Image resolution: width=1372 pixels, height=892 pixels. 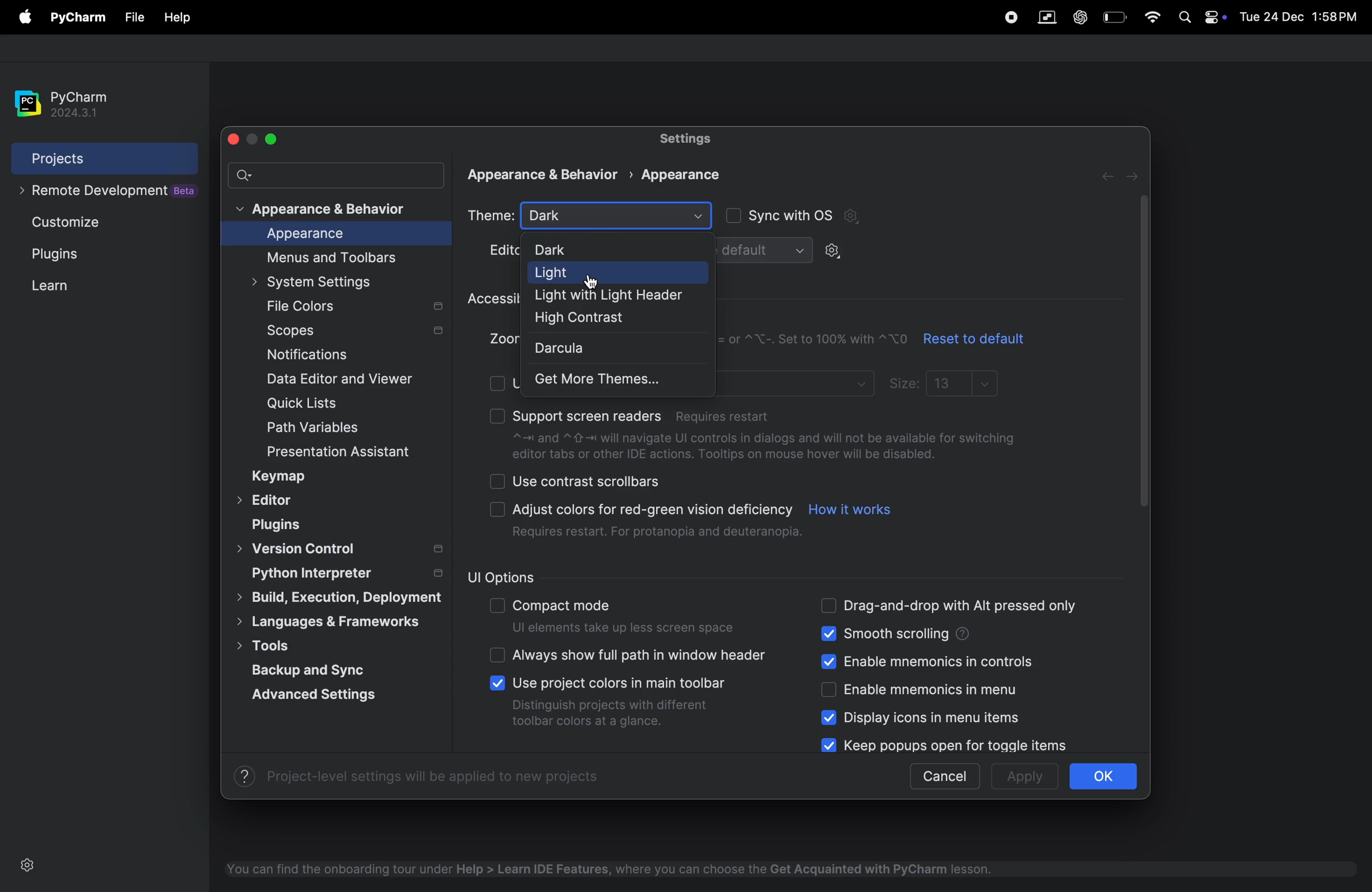 I want to click on check boxes, so click(x=827, y=664).